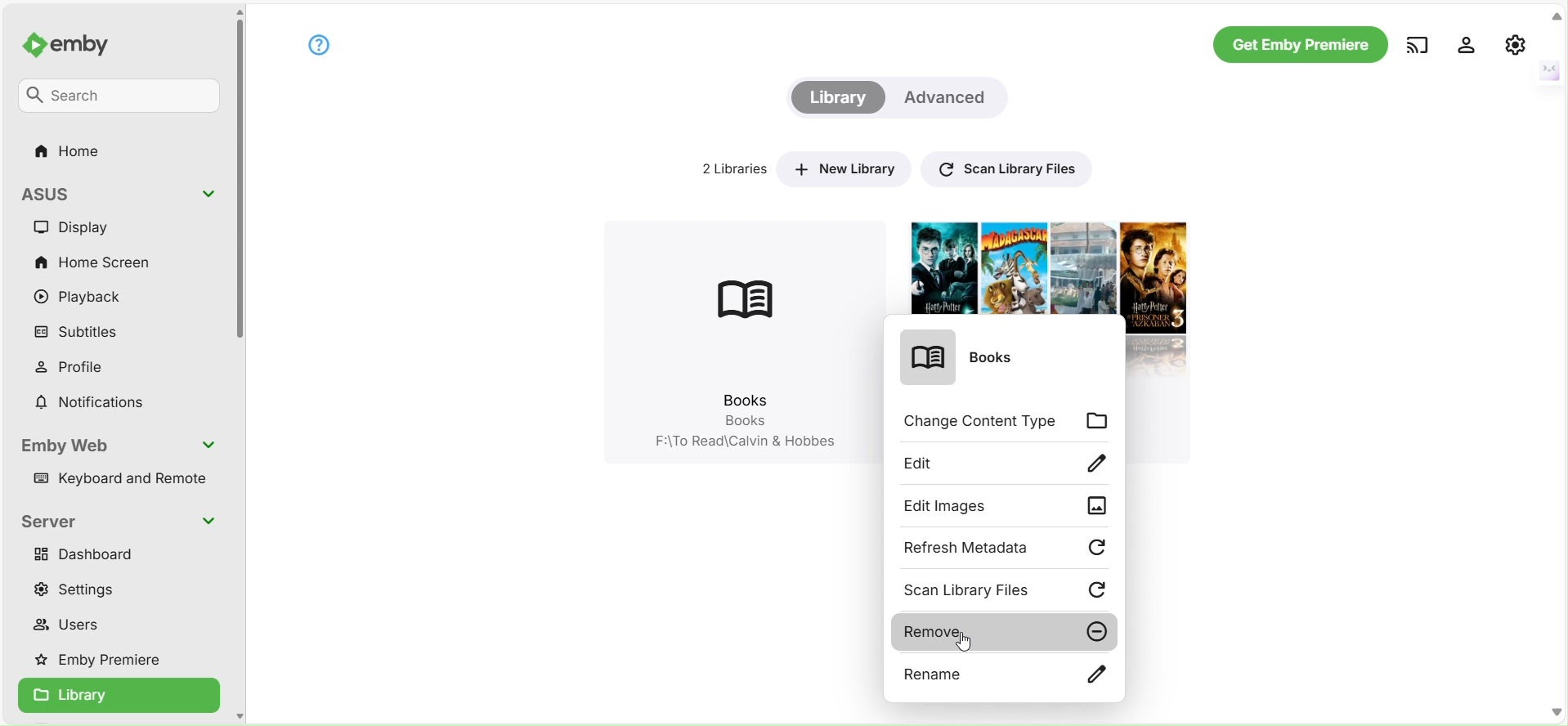 The width and height of the screenshot is (1568, 726). What do you see at coordinates (210, 445) in the screenshot?
I see `Collapse Section` at bounding box center [210, 445].